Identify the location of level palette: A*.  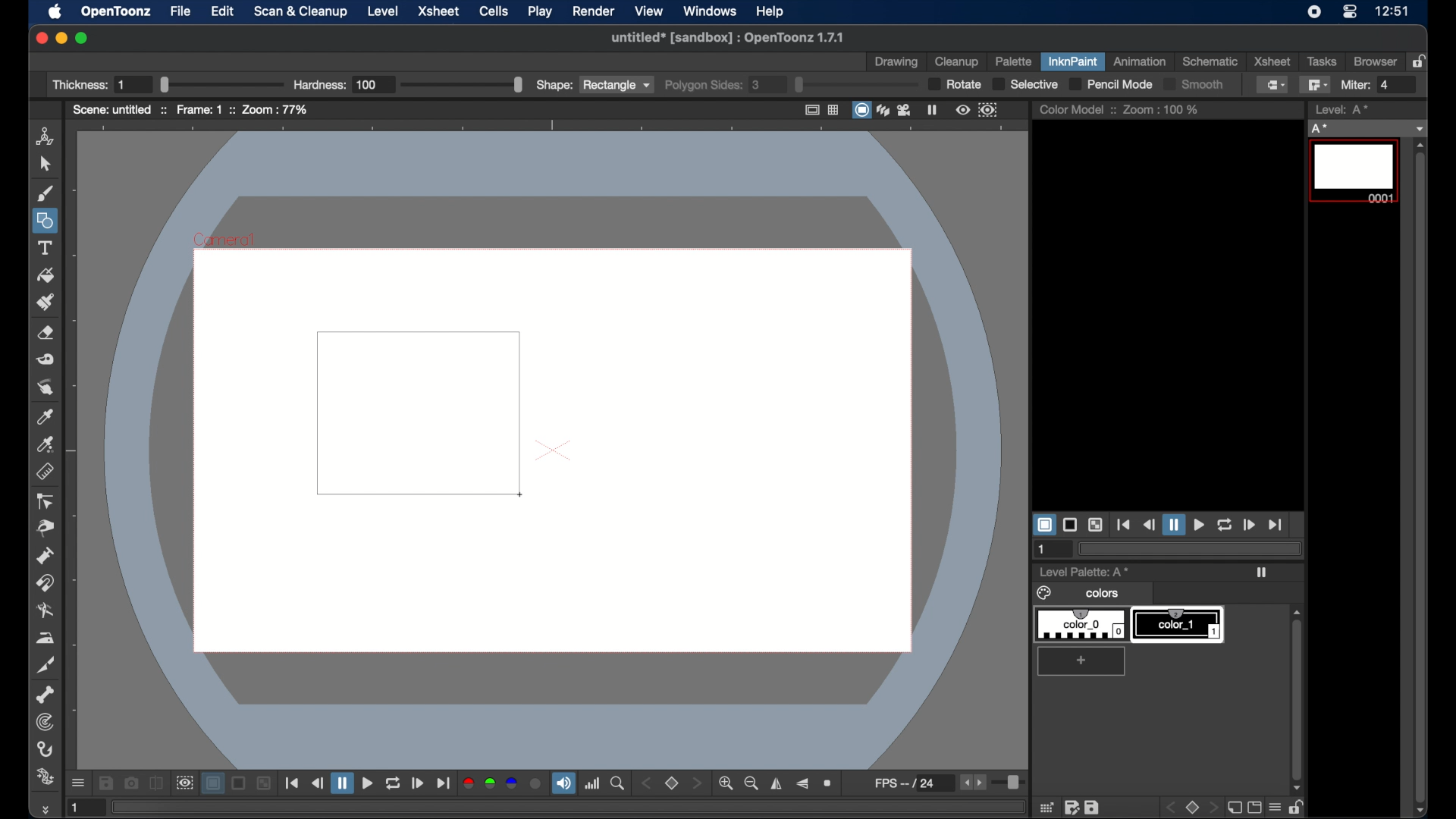
(1085, 571).